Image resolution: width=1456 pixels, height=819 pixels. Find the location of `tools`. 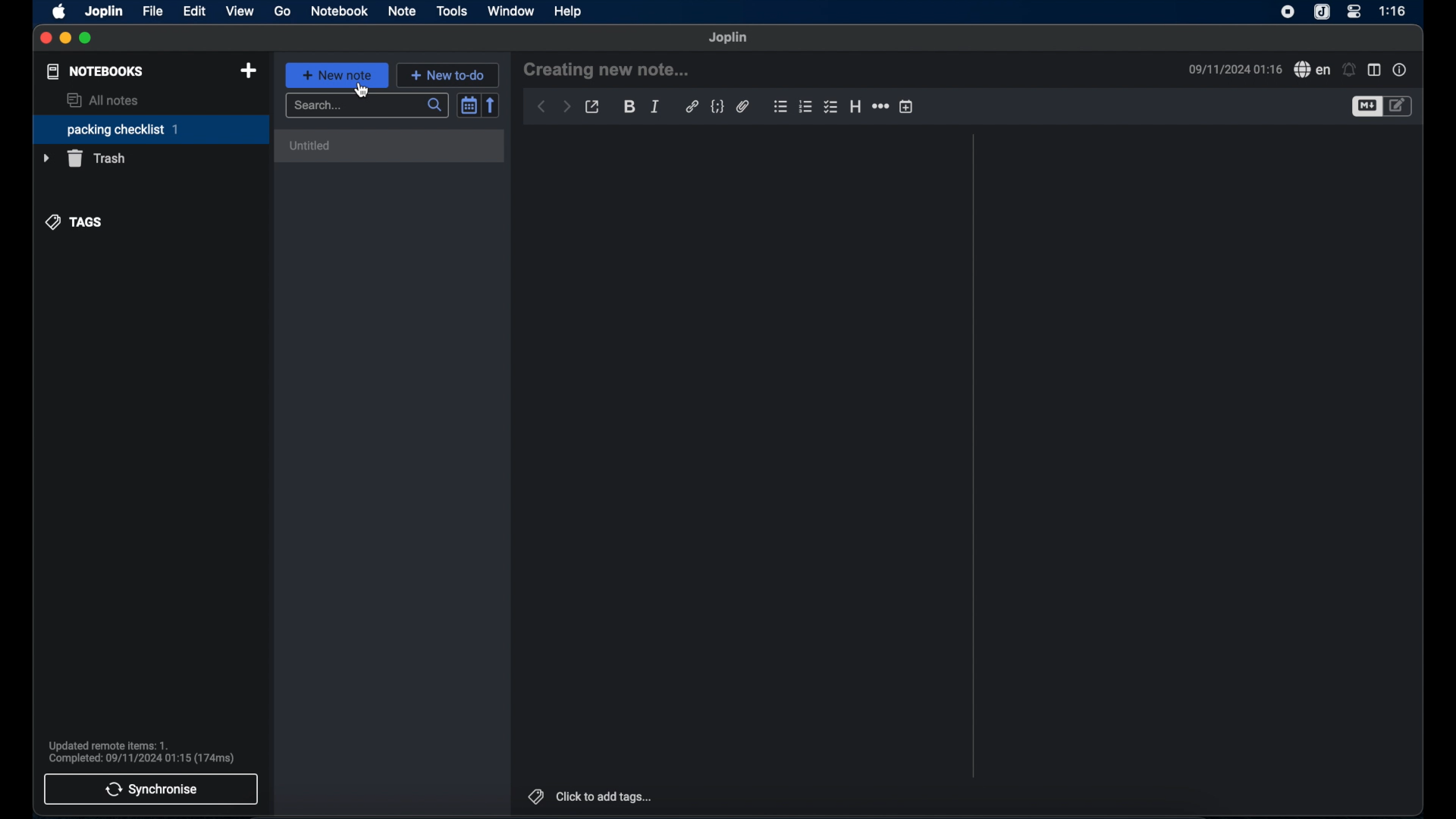

tools is located at coordinates (453, 11).